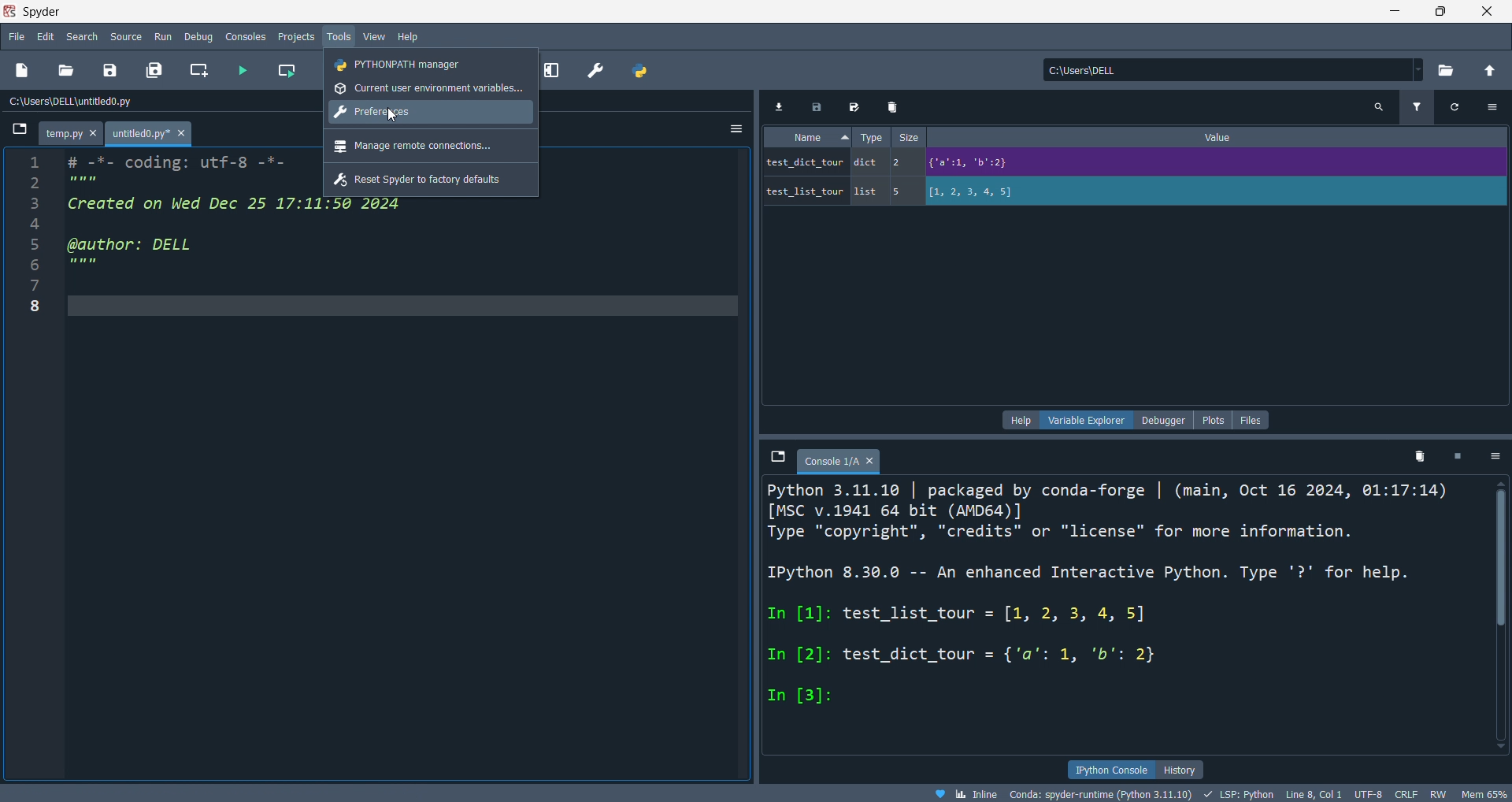  Describe the element at coordinates (1216, 418) in the screenshot. I see `plots` at that location.